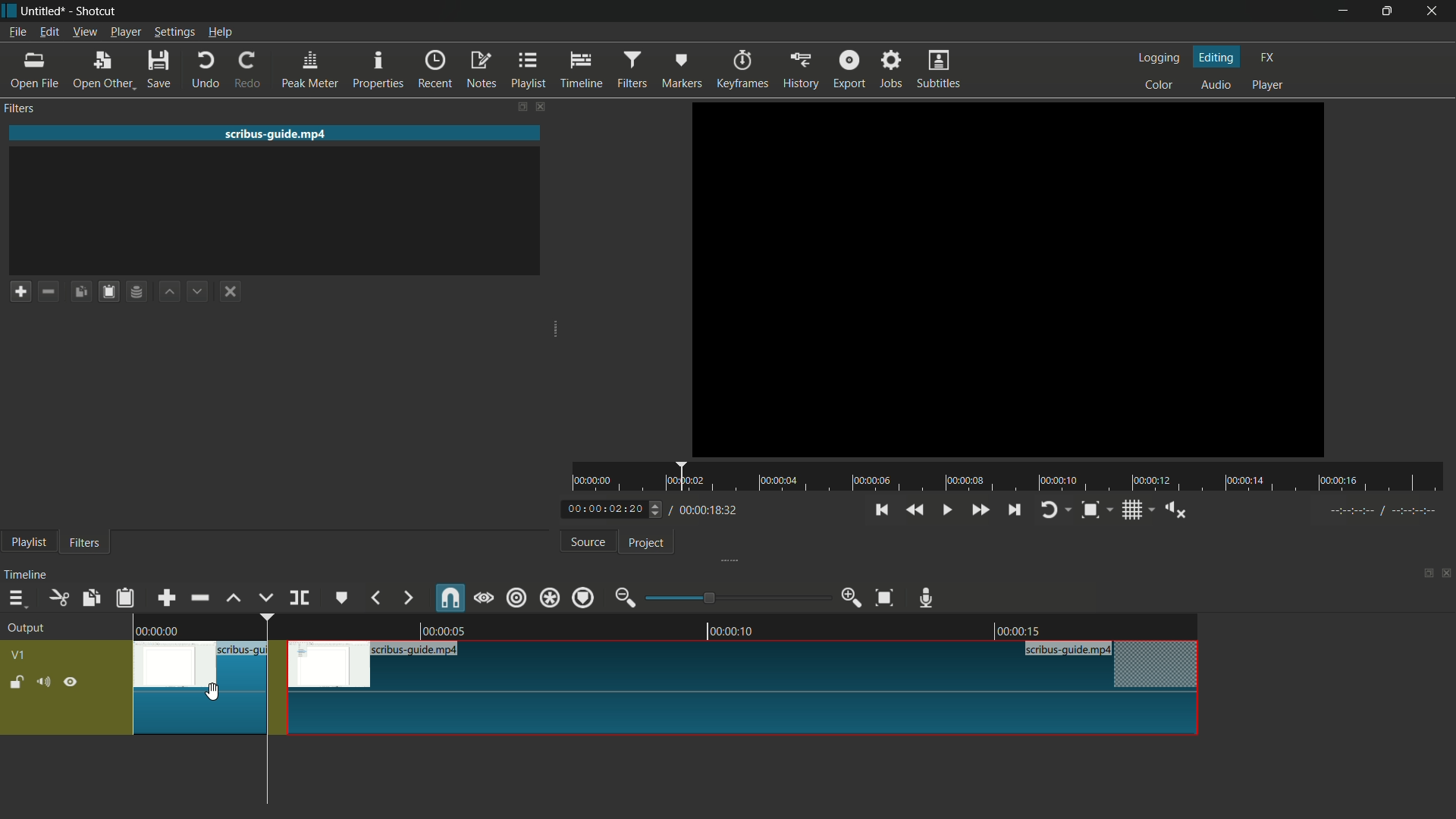  What do you see at coordinates (893, 68) in the screenshot?
I see `jobs` at bounding box center [893, 68].